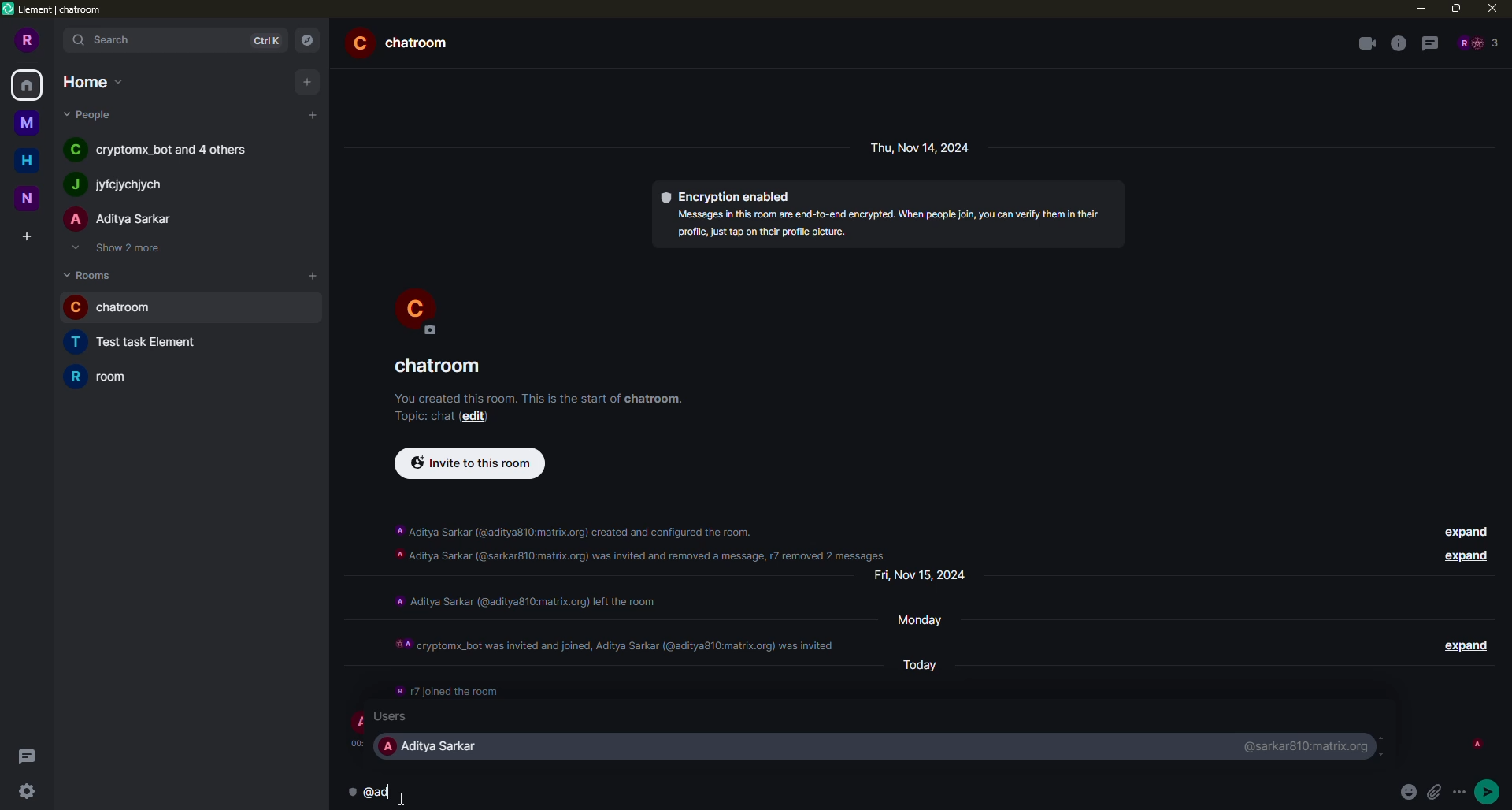 The image size is (1512, 810). What do you see at coordinates (90, 80) in the screenshot?
I see `home` at bounding box center [90, 80].